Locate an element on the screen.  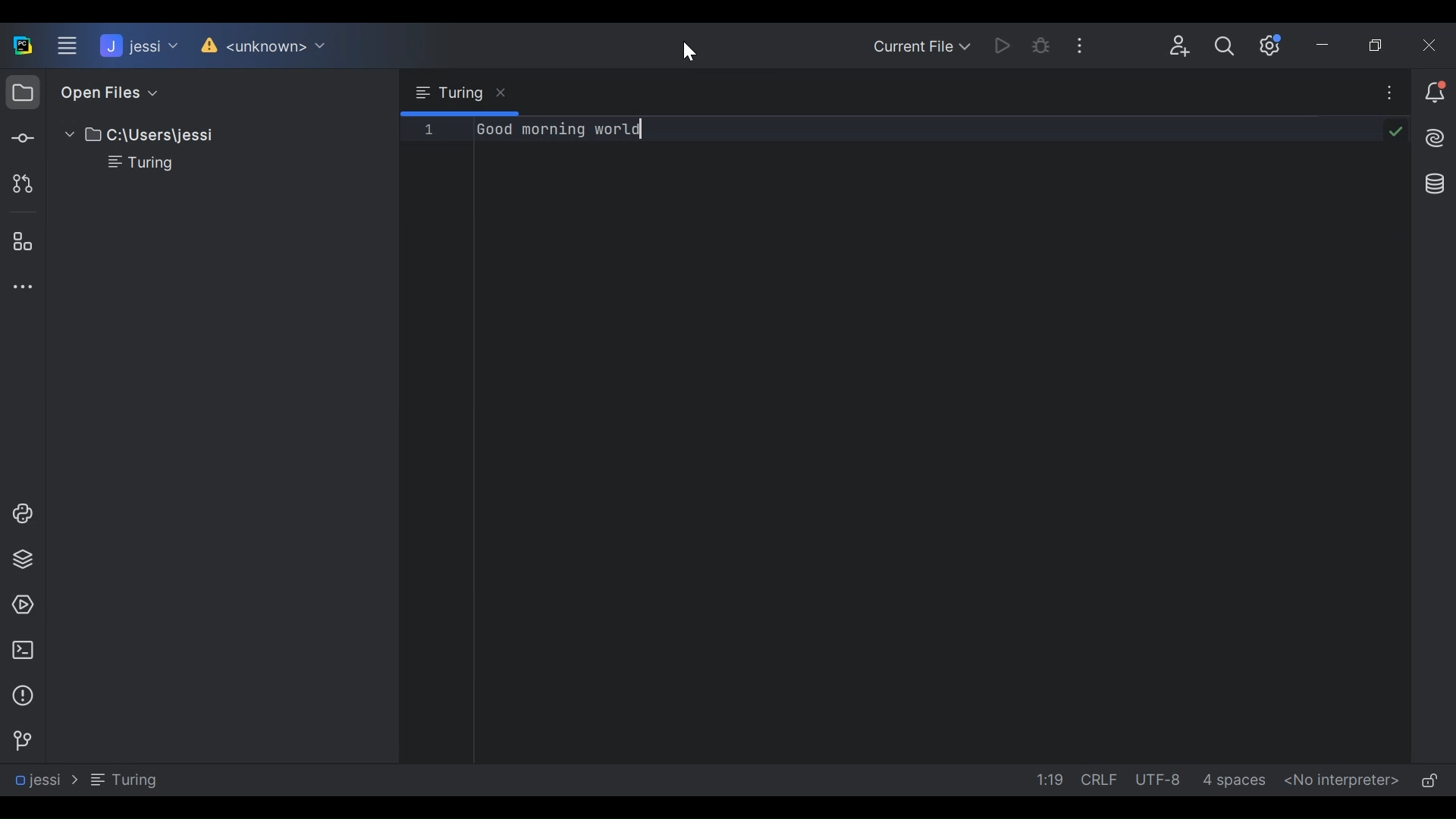
No interpreter is located at coordinates (1343, 780).